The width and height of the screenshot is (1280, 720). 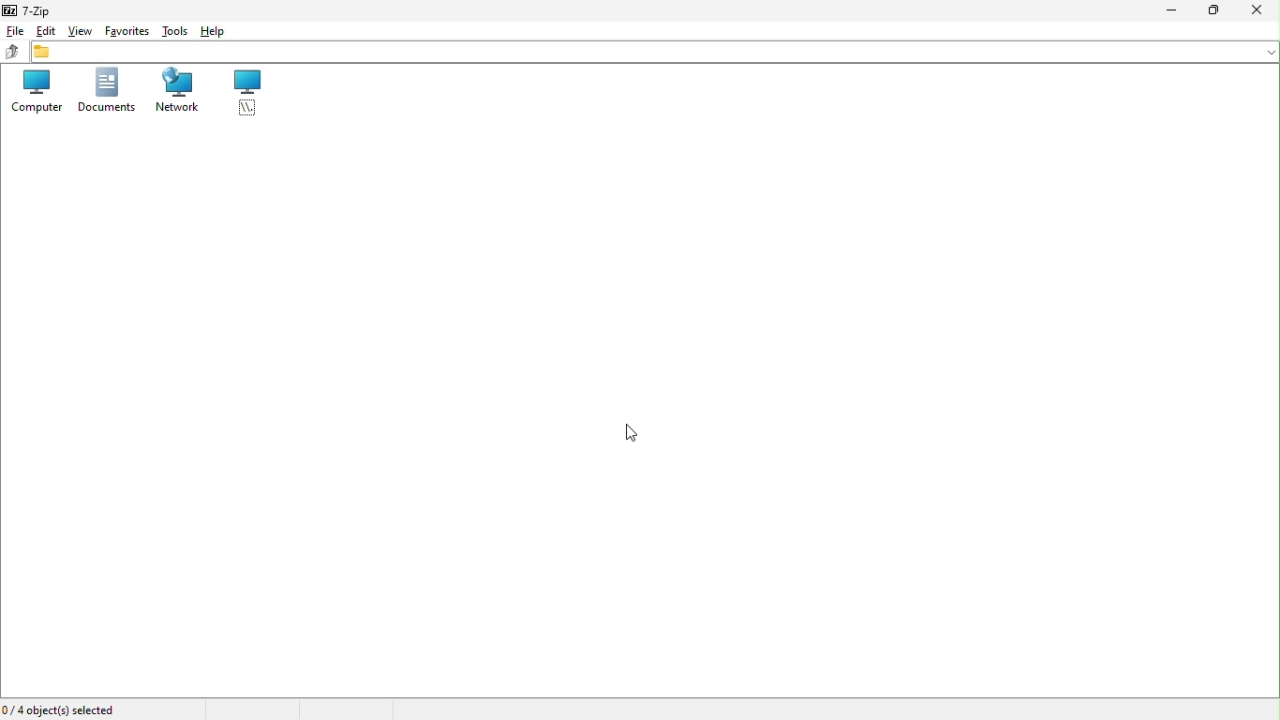 What do you see at coordinates (126, 31) in the screenshot?
I see `Favourite` at bounding box center [126, 31].